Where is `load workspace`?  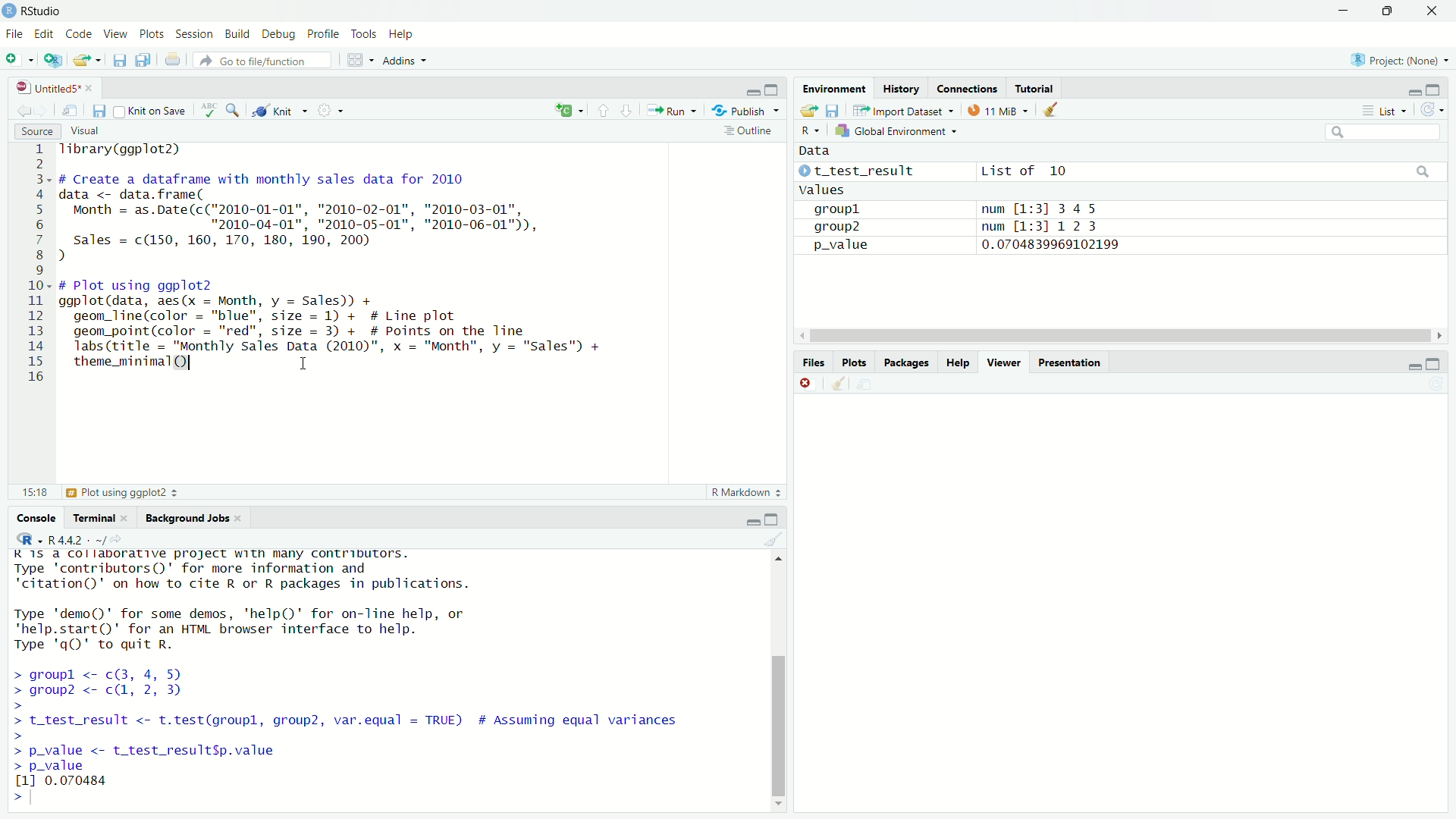 load workspace is located at coordinates (809, 111).